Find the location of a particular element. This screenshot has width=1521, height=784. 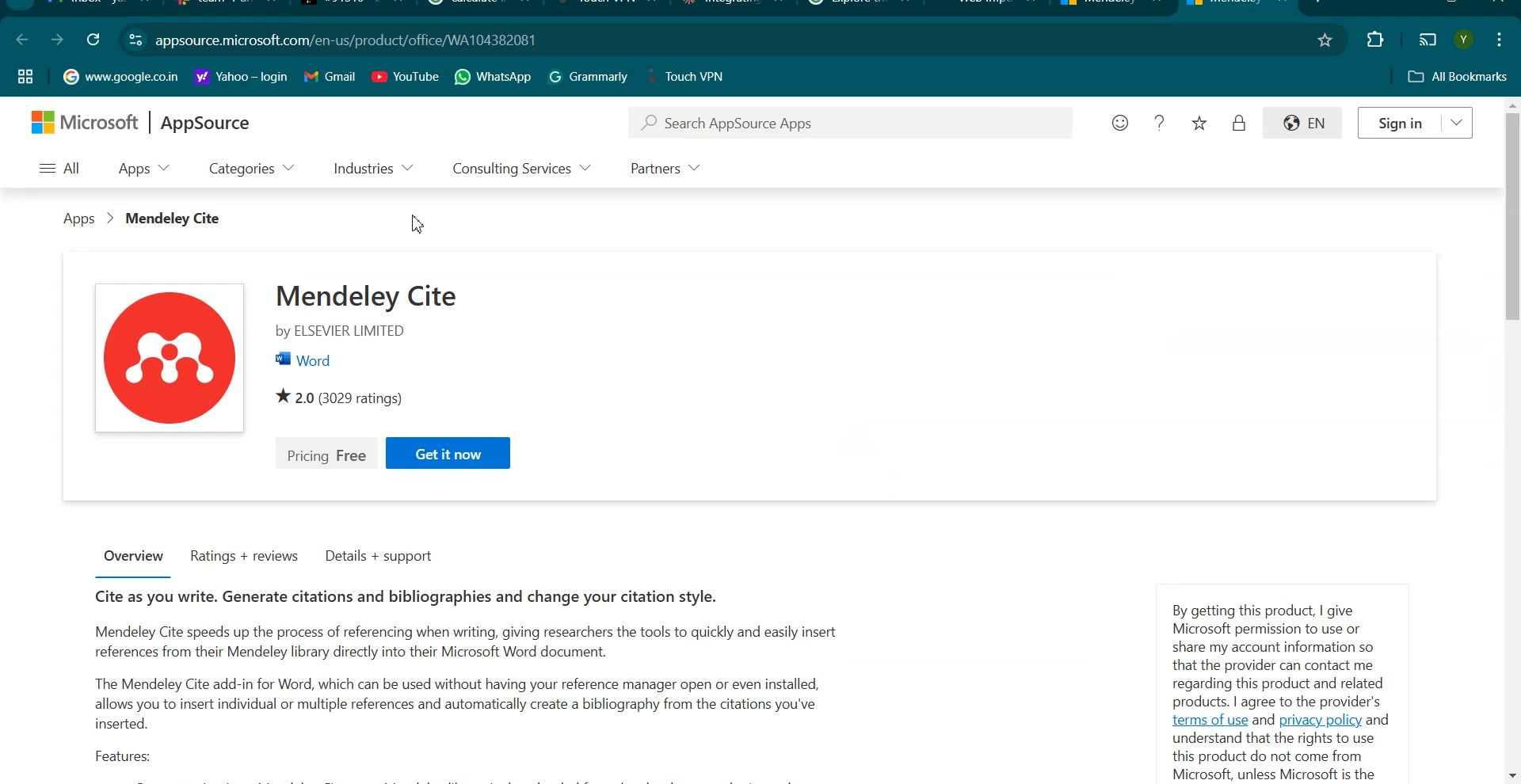

By getting this product, | give
Microsoft permission to use or
share my account information so
that the provider can contact me
regarding this product and related
products. | agree to the provider's is located at coordinates (1283, 654).